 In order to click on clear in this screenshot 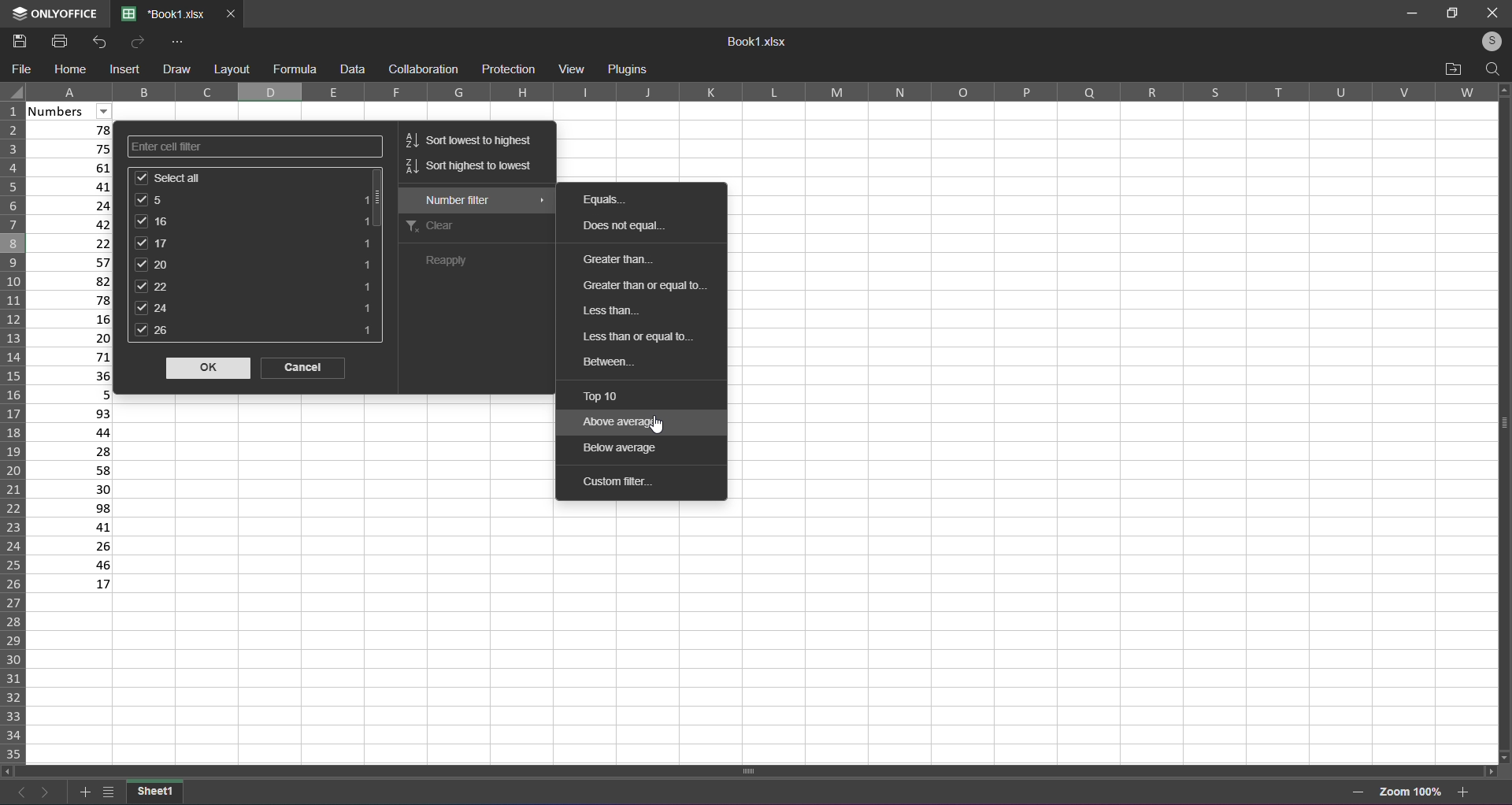, I will do `click(471, 228)`.